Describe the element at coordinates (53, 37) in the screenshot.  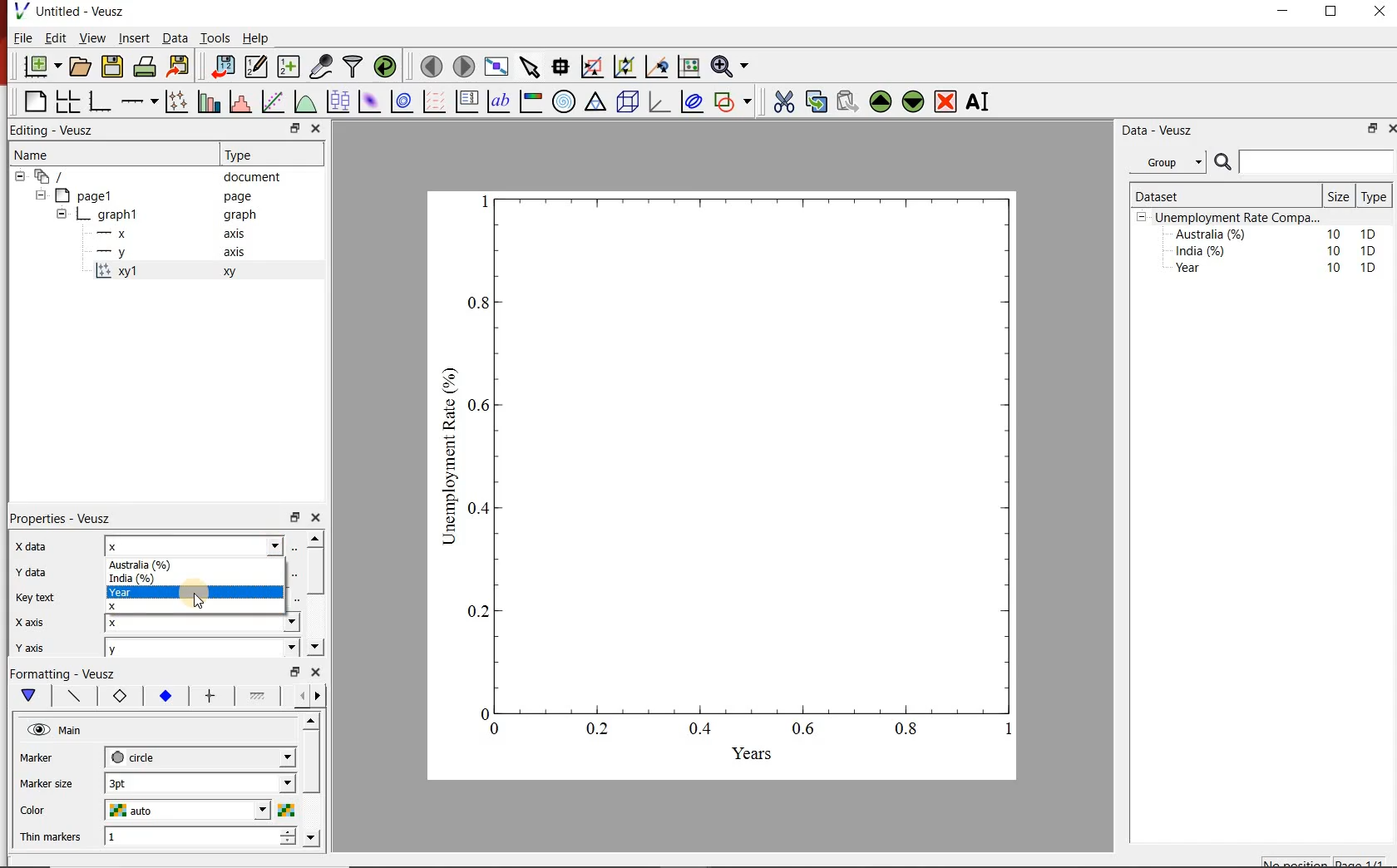
I see `Edit` at that location.